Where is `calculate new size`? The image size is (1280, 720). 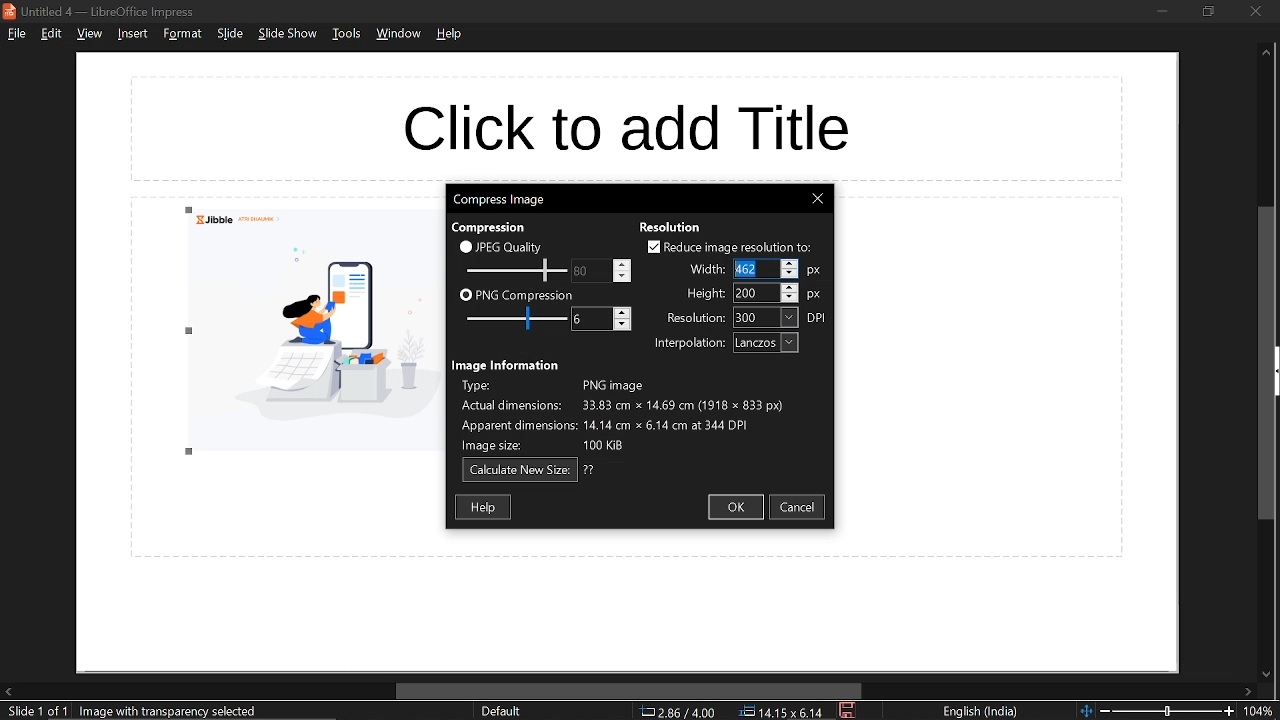 calculate new size is located at coordinates (520, 471).